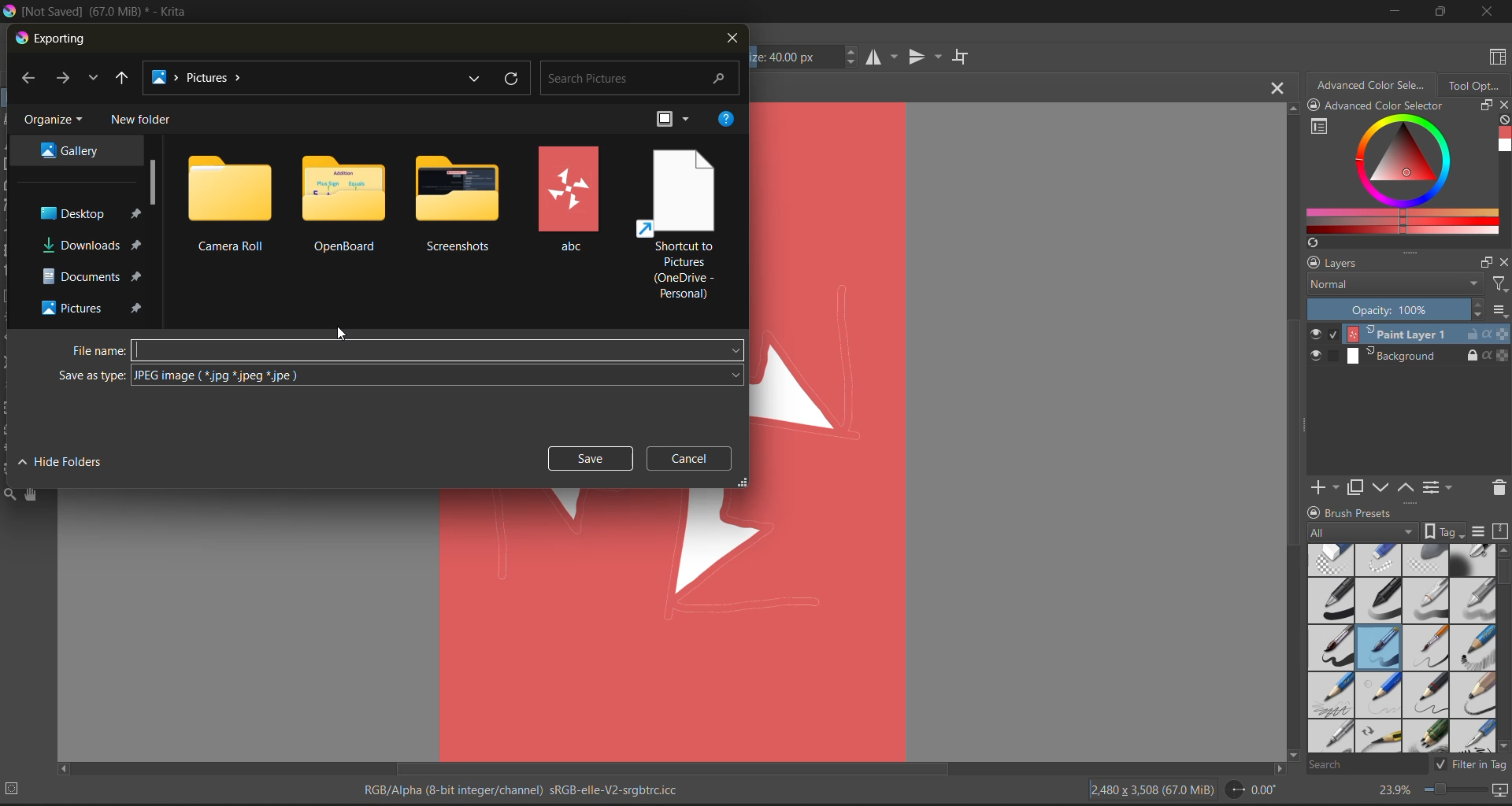 The image size is (1512, 806). Describe the element at coordinates (1368, 765) in the screenshot. I see `search` at that location.